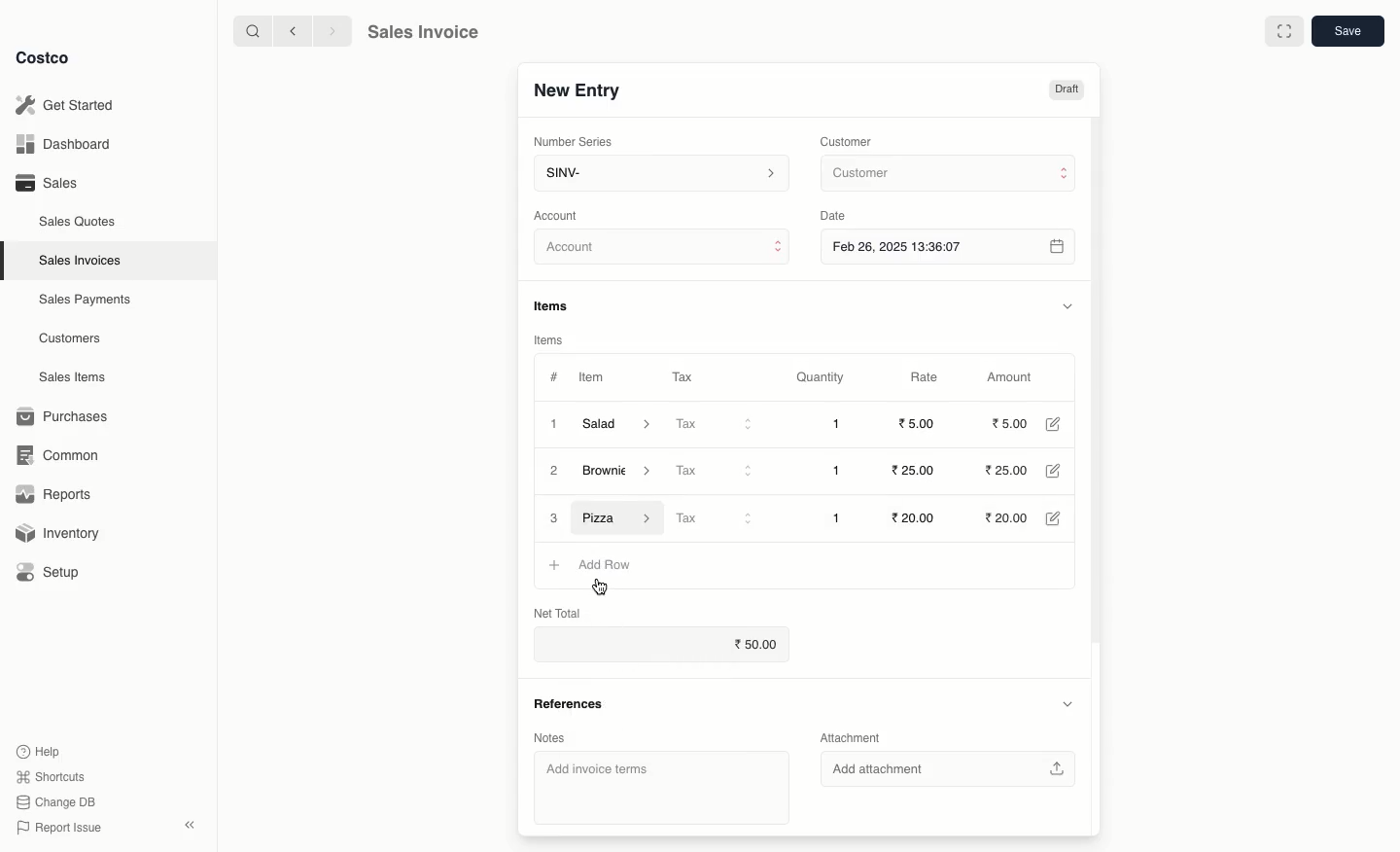 This screenshot has width=1400, height=852. What do you see at coordinates (55, 828) in the screenshot?
I see `Report Issue` at bounding box center [55, 828].